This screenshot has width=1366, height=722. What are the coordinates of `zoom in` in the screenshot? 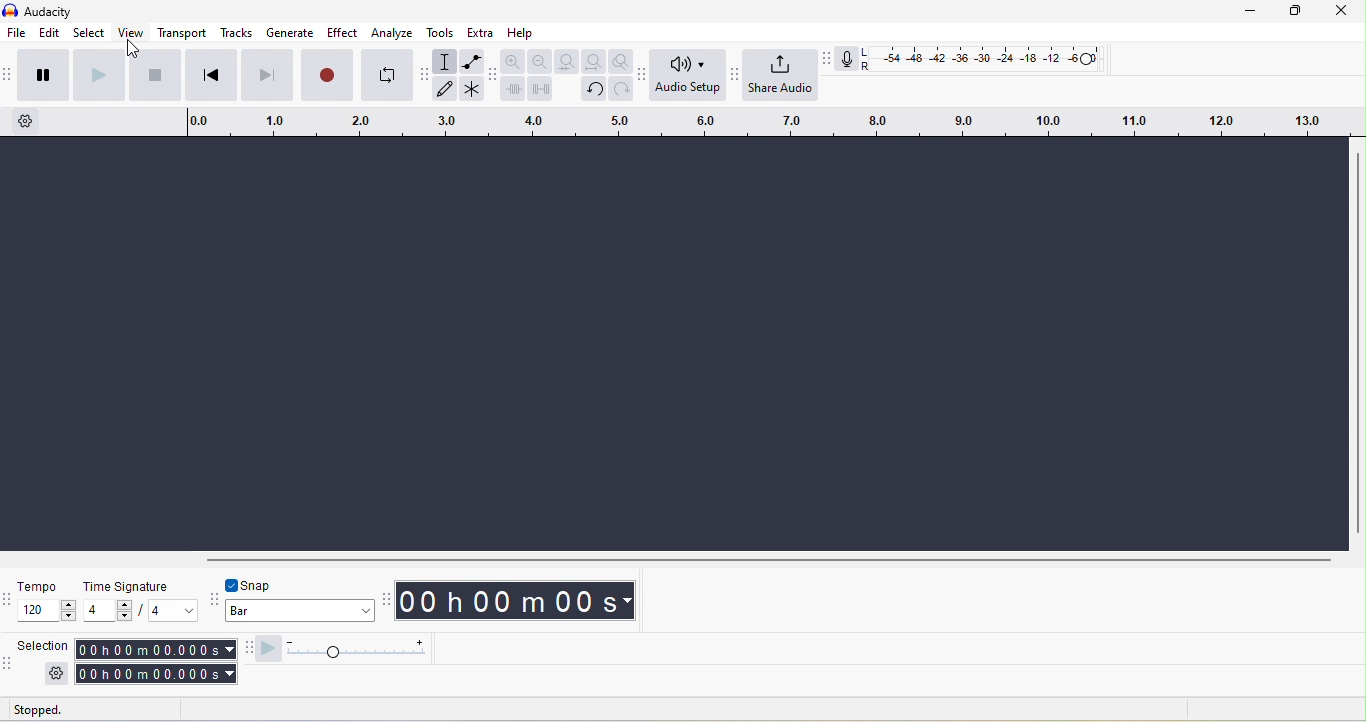 It's located at (513, 60).